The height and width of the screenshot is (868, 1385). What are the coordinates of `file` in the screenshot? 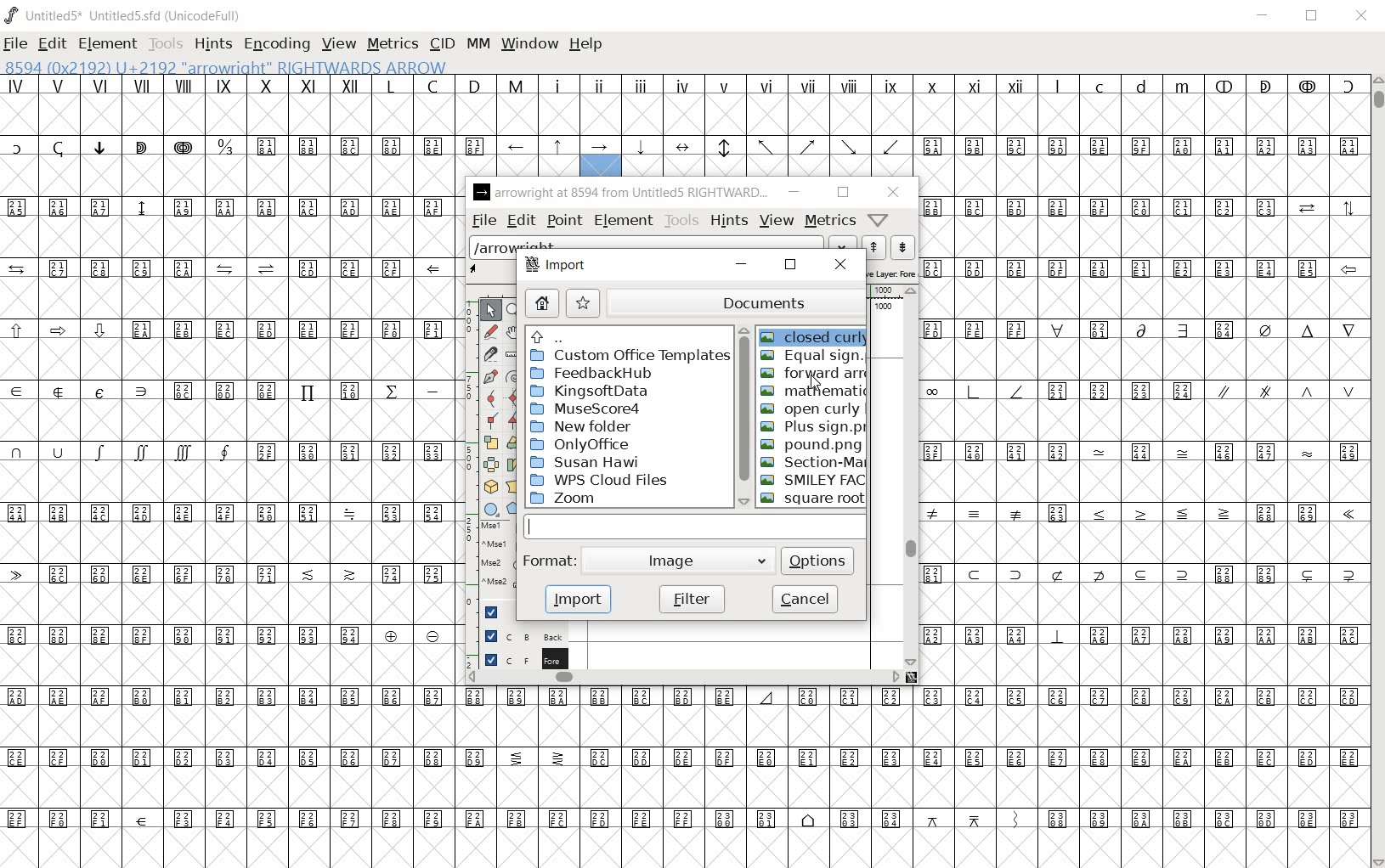 It's located at (483, 221).